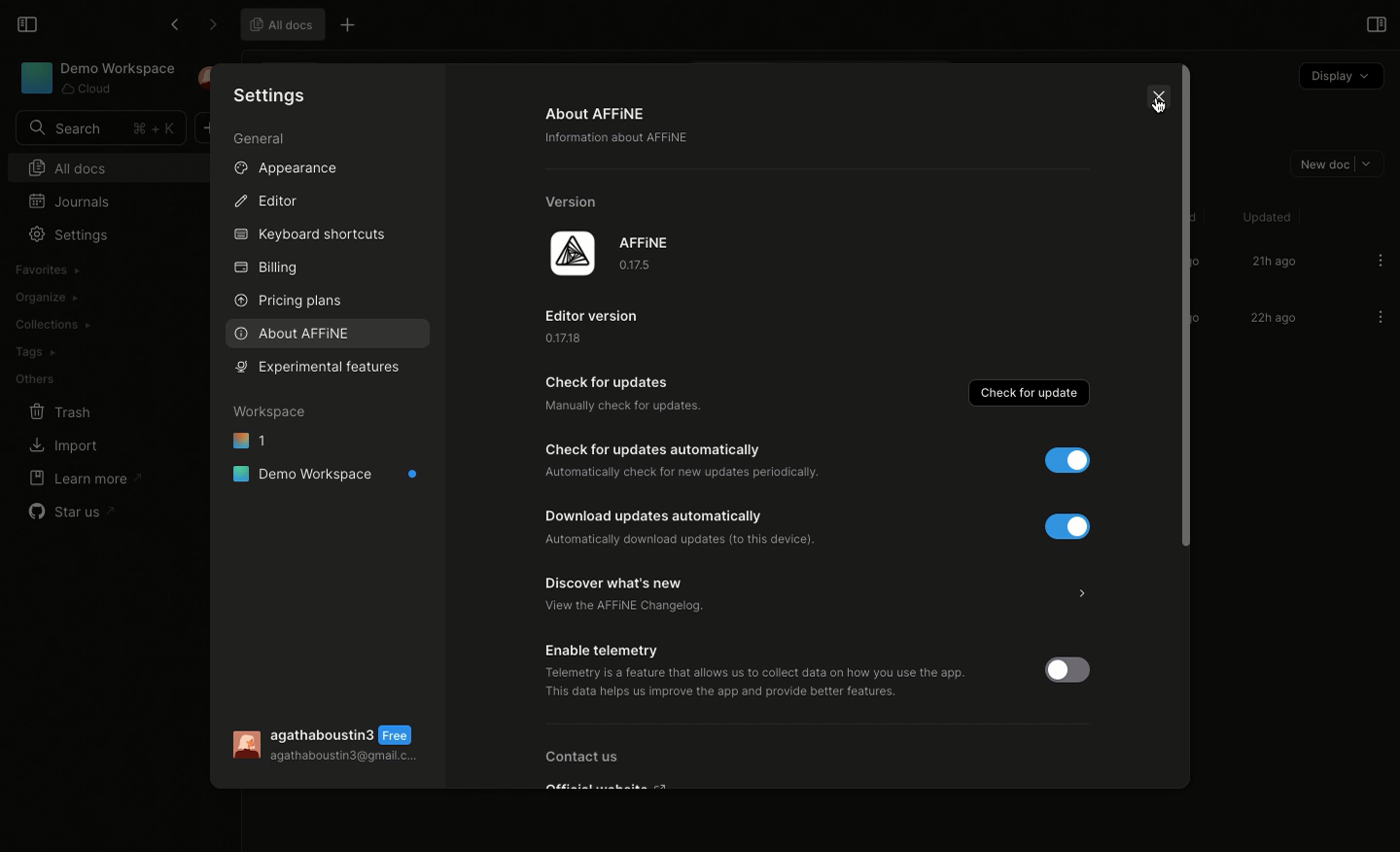 The height and width of the screenshot is (852, 1400). Describe the element at coordinates (1333, 162) in the screenshot. I see `New doc` at that location.